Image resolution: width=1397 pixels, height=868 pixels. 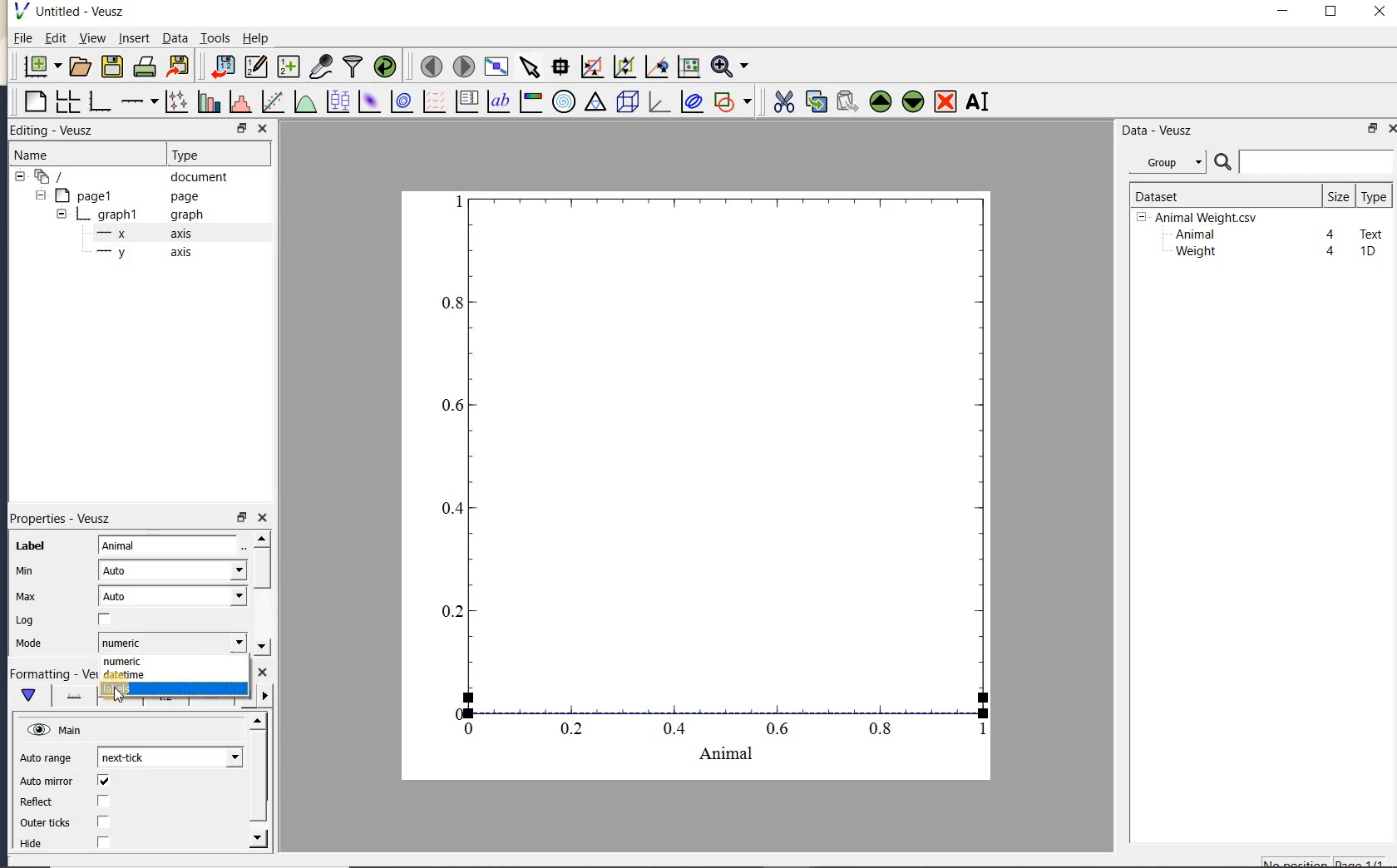 I want to click on move the selected widget down, so click(x=913, y=101).